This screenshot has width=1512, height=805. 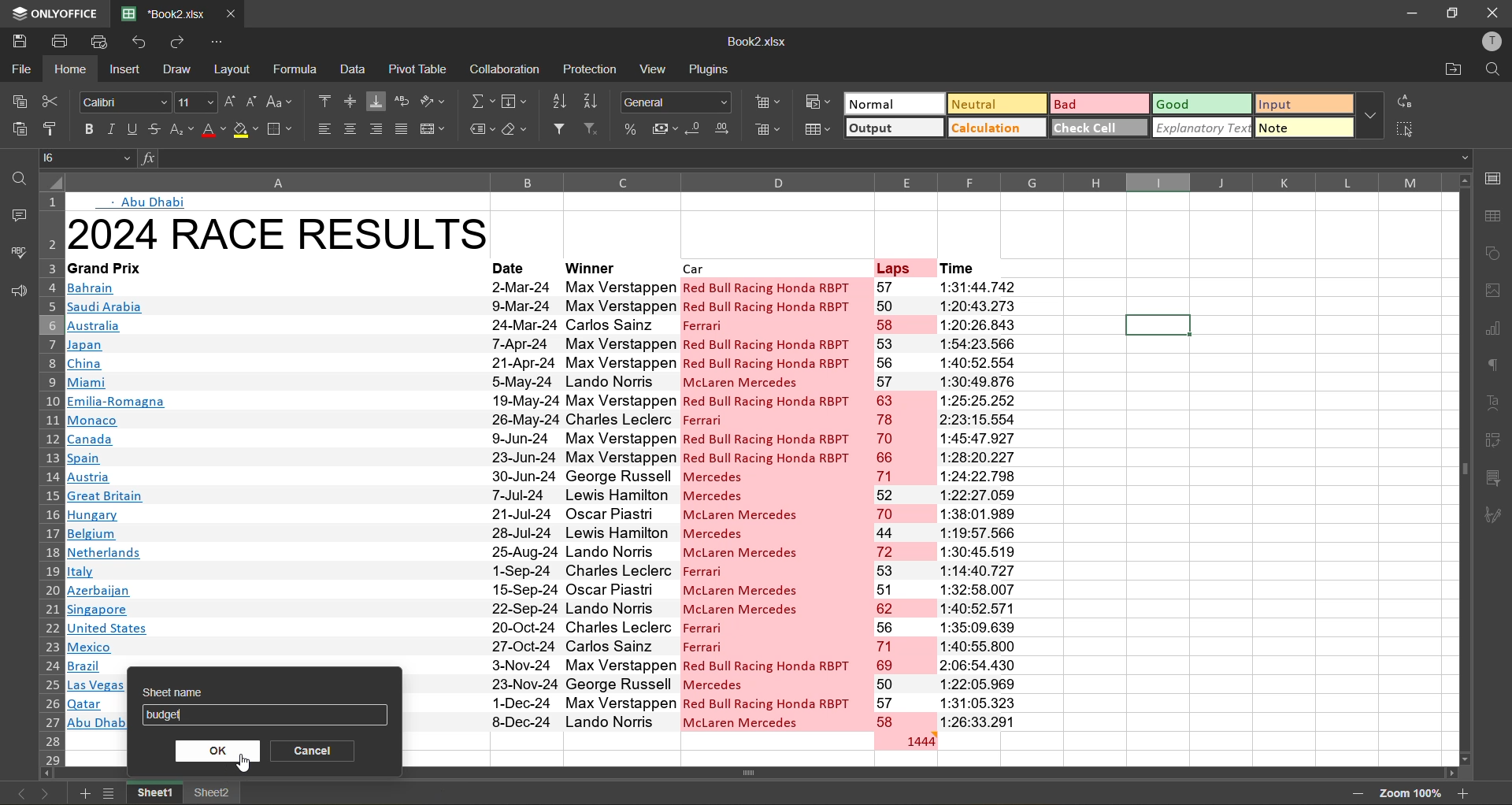 I want to click on justified, so click(x=401, y=131).